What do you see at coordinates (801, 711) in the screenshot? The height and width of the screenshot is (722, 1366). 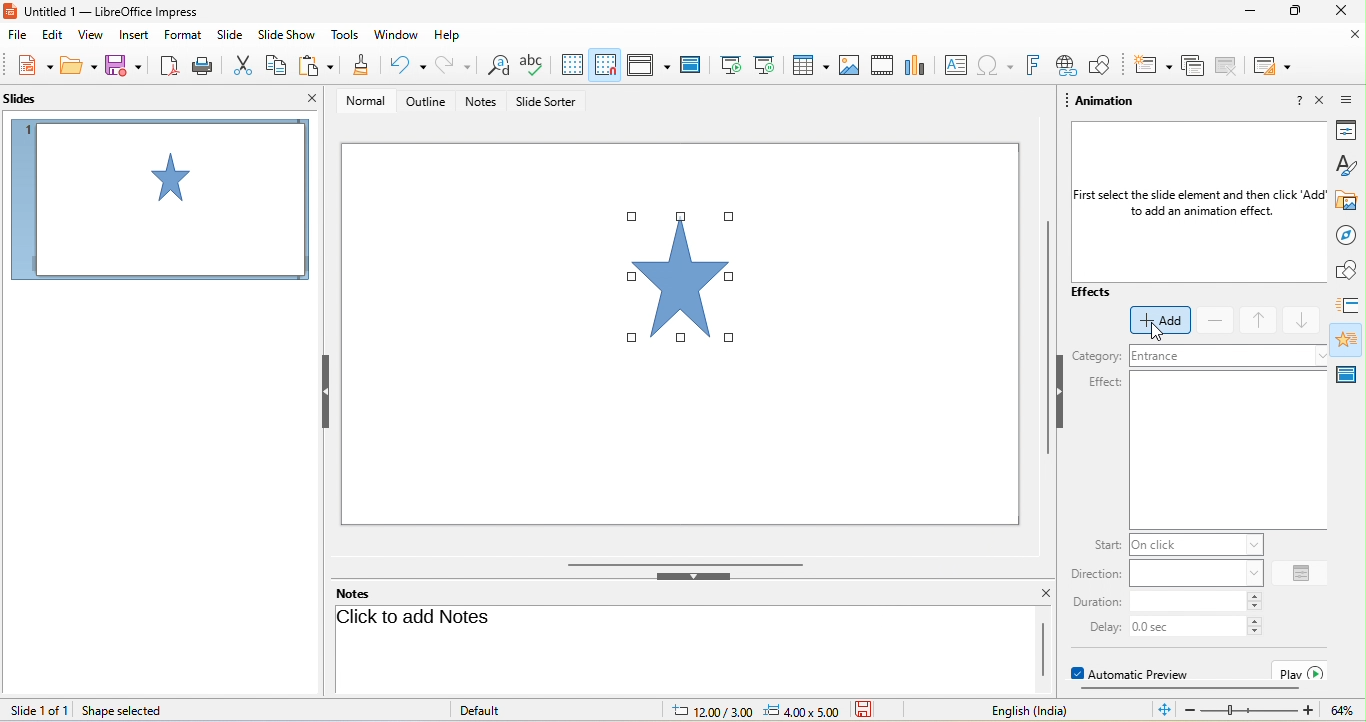 I see `slide dimension: 4.00x5.00` at bounding box center [801, 711].